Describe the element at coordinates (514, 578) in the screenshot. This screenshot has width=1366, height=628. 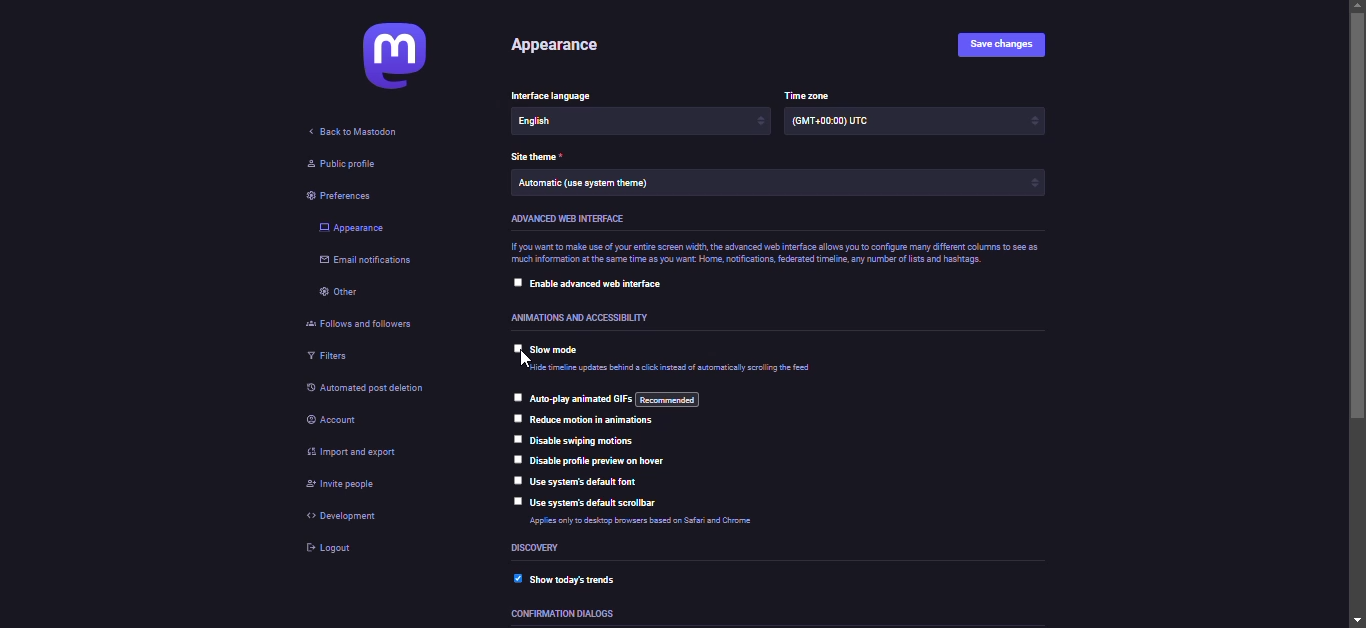
I see `enabled` at that location.